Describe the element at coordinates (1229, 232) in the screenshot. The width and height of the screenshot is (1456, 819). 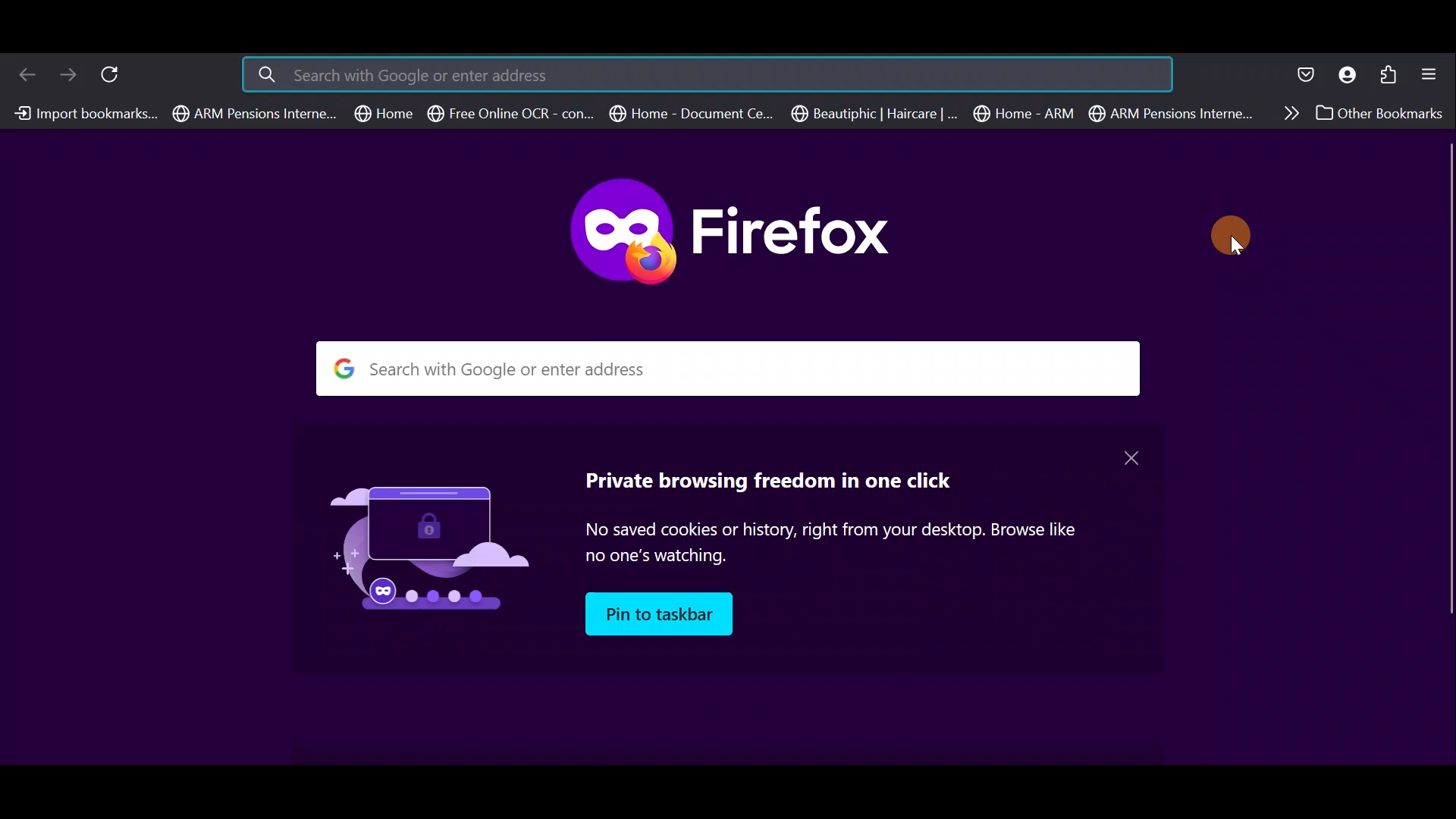
I see `cursor` at that location.